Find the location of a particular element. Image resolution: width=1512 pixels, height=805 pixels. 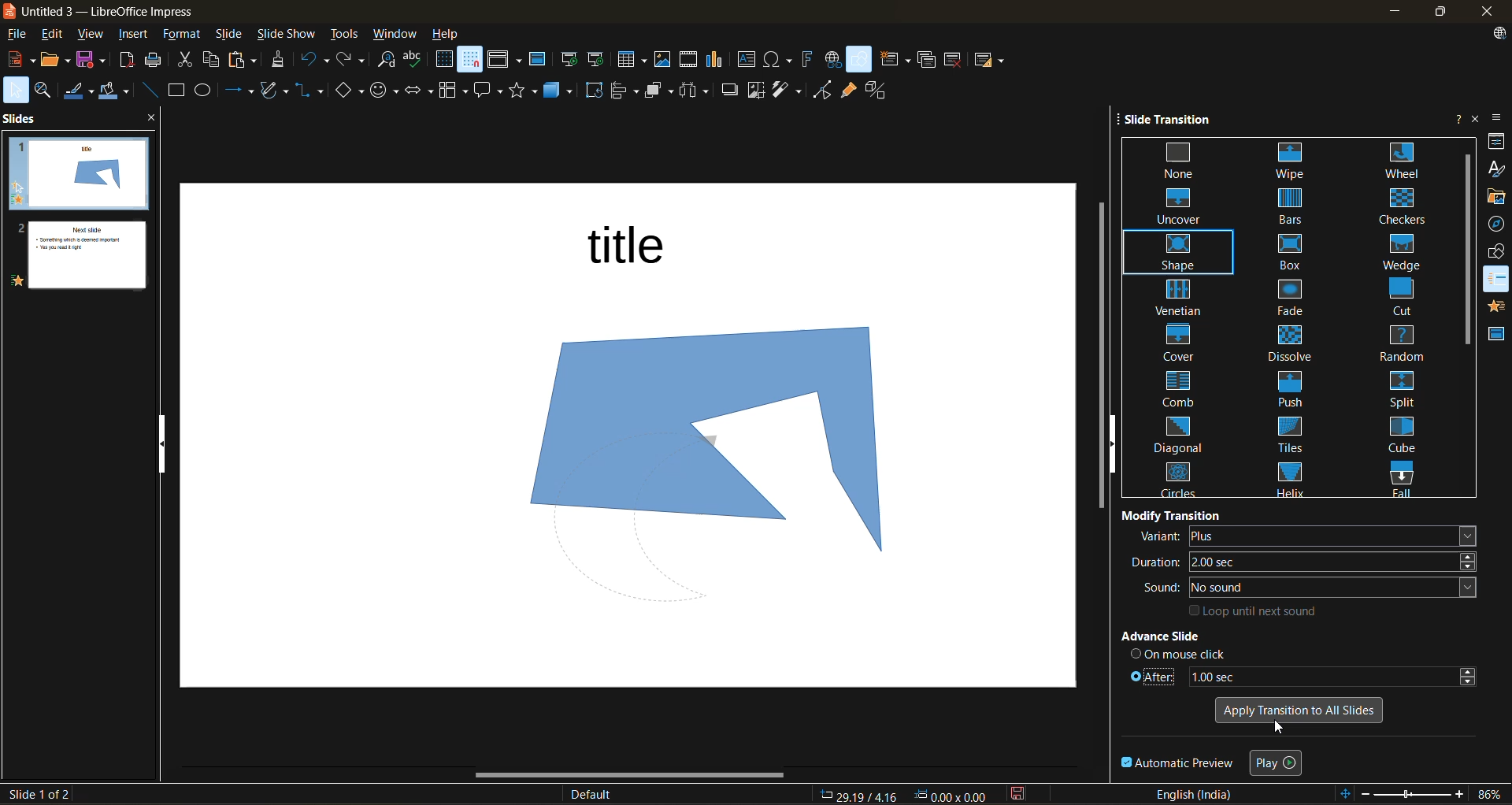

click to save is located at coordinates (1016, 796).